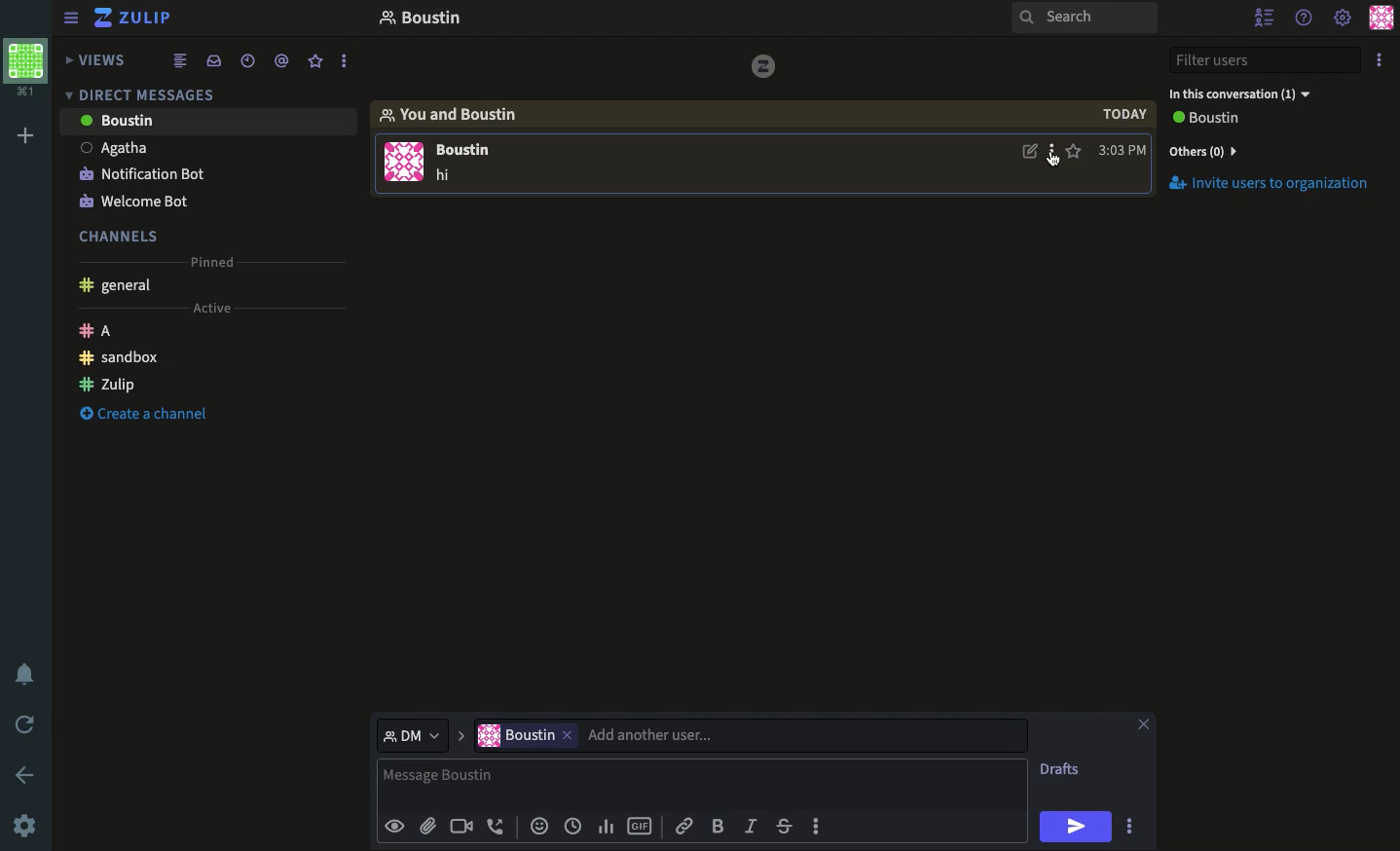 The width and height of the screenshot is (1400, 851). What do you see at coordinates (27, 726) in the screenshot?
I see `Refresh` at bounding box center [27, 726].